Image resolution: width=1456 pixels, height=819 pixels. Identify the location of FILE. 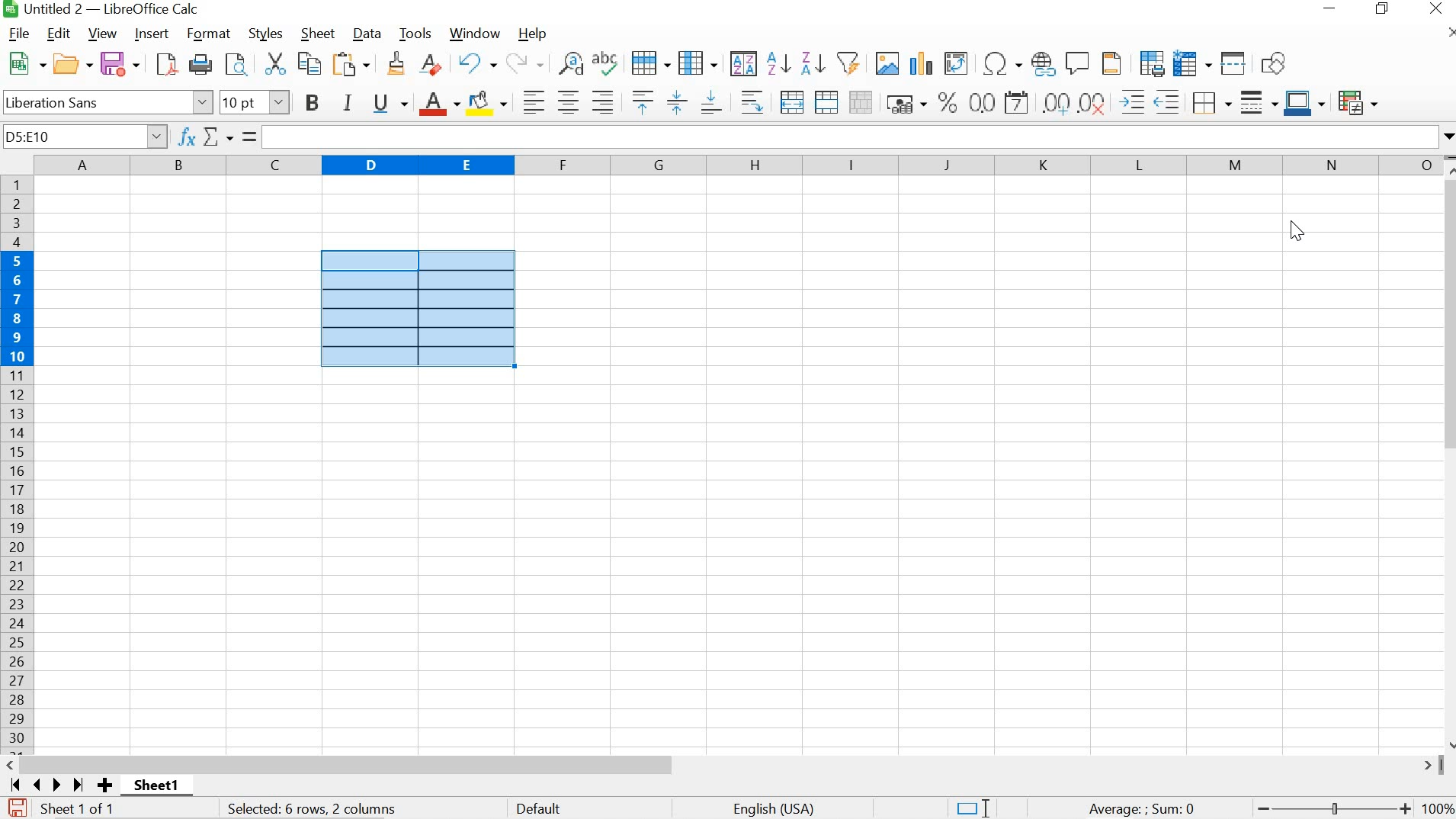
(20, 33).